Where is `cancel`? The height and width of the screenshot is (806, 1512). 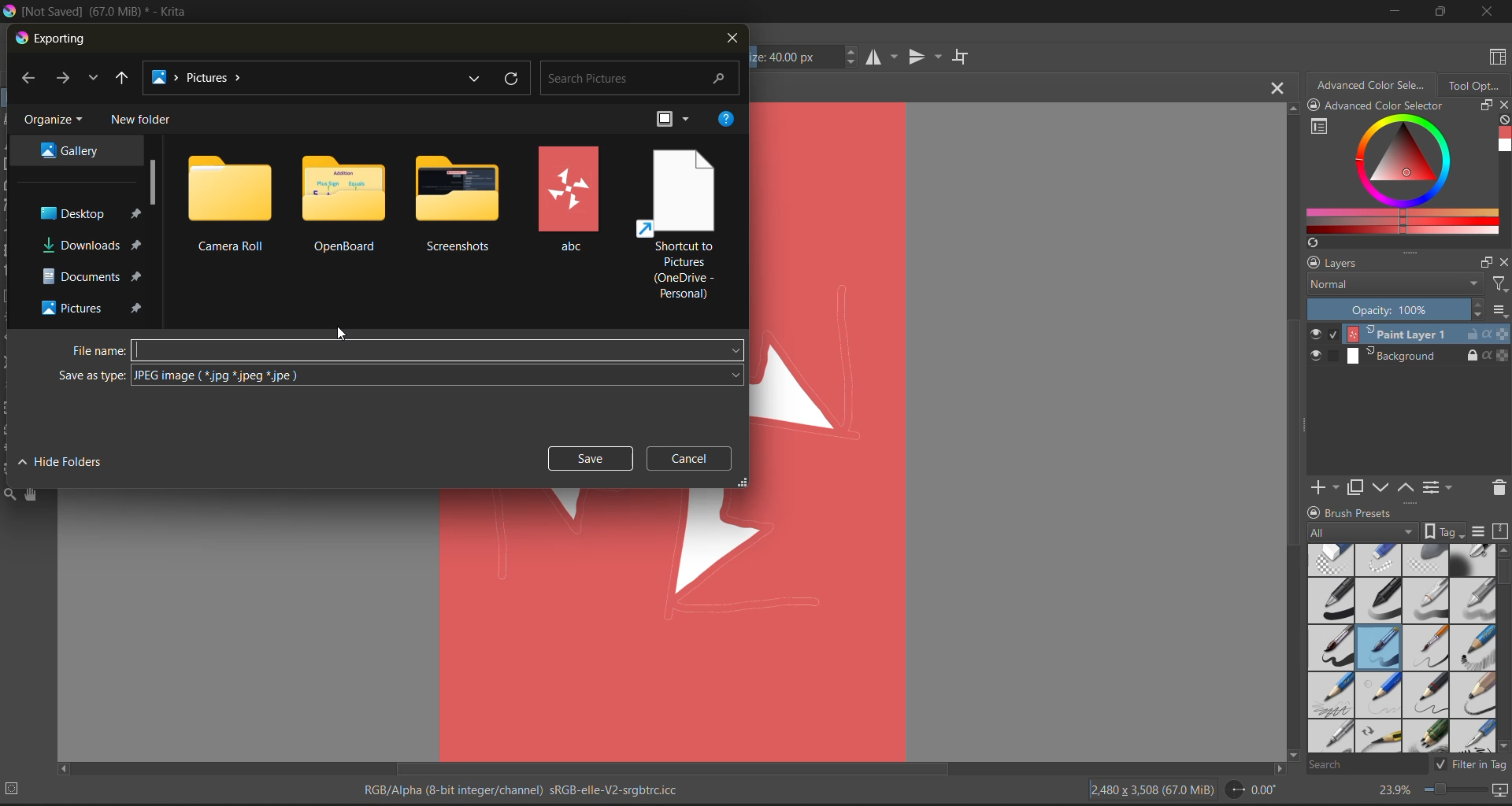 cancel is located at coordinates (689, 457).